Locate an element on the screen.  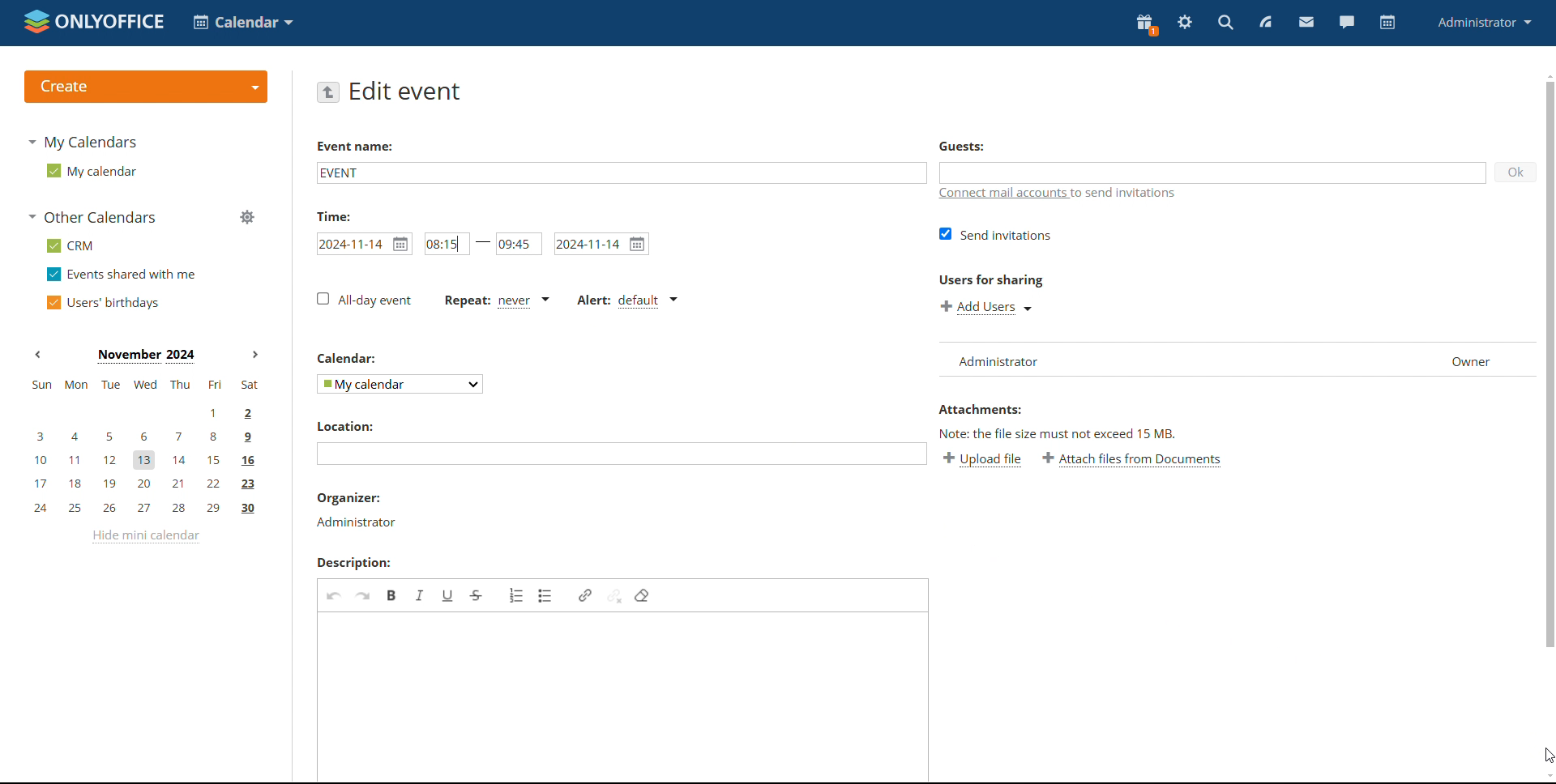
users for sharing is located at coordinates (990, 282).